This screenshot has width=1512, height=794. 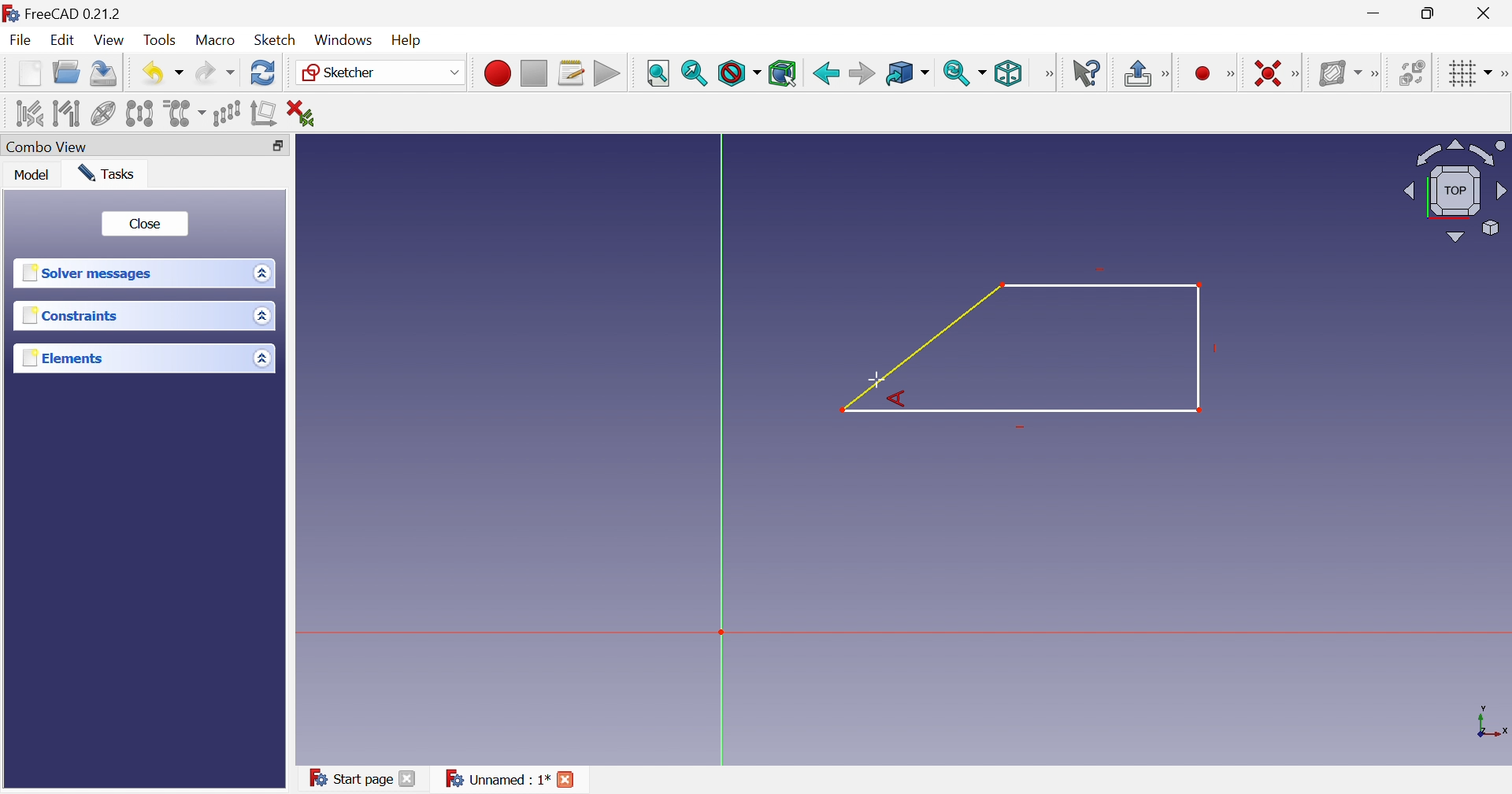 I want to click on Undo, so click(x=150, y=72).